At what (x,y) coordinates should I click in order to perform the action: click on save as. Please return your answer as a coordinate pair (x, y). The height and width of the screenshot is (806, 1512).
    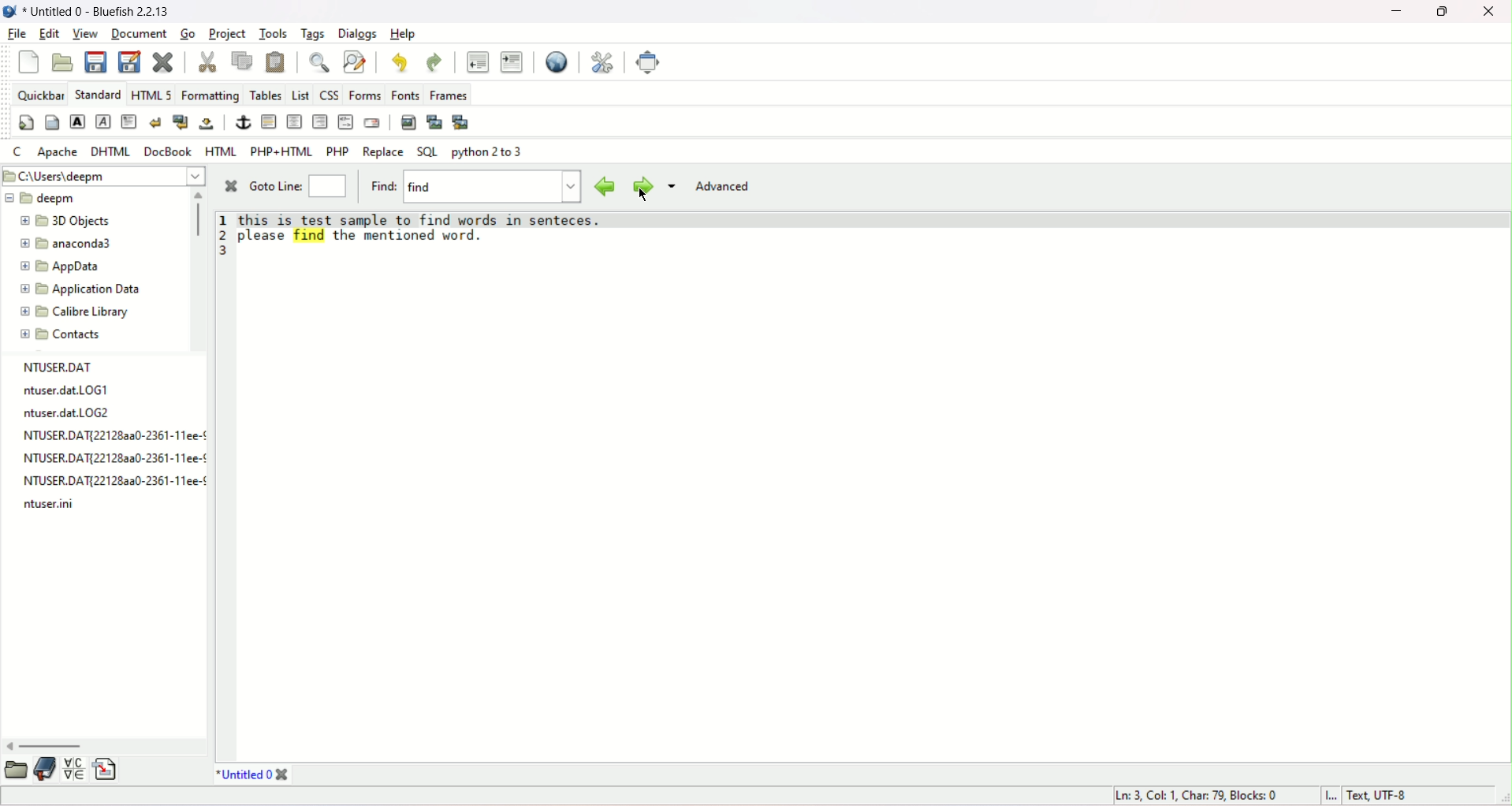
    Looking at the image, I should click on (128, 60).